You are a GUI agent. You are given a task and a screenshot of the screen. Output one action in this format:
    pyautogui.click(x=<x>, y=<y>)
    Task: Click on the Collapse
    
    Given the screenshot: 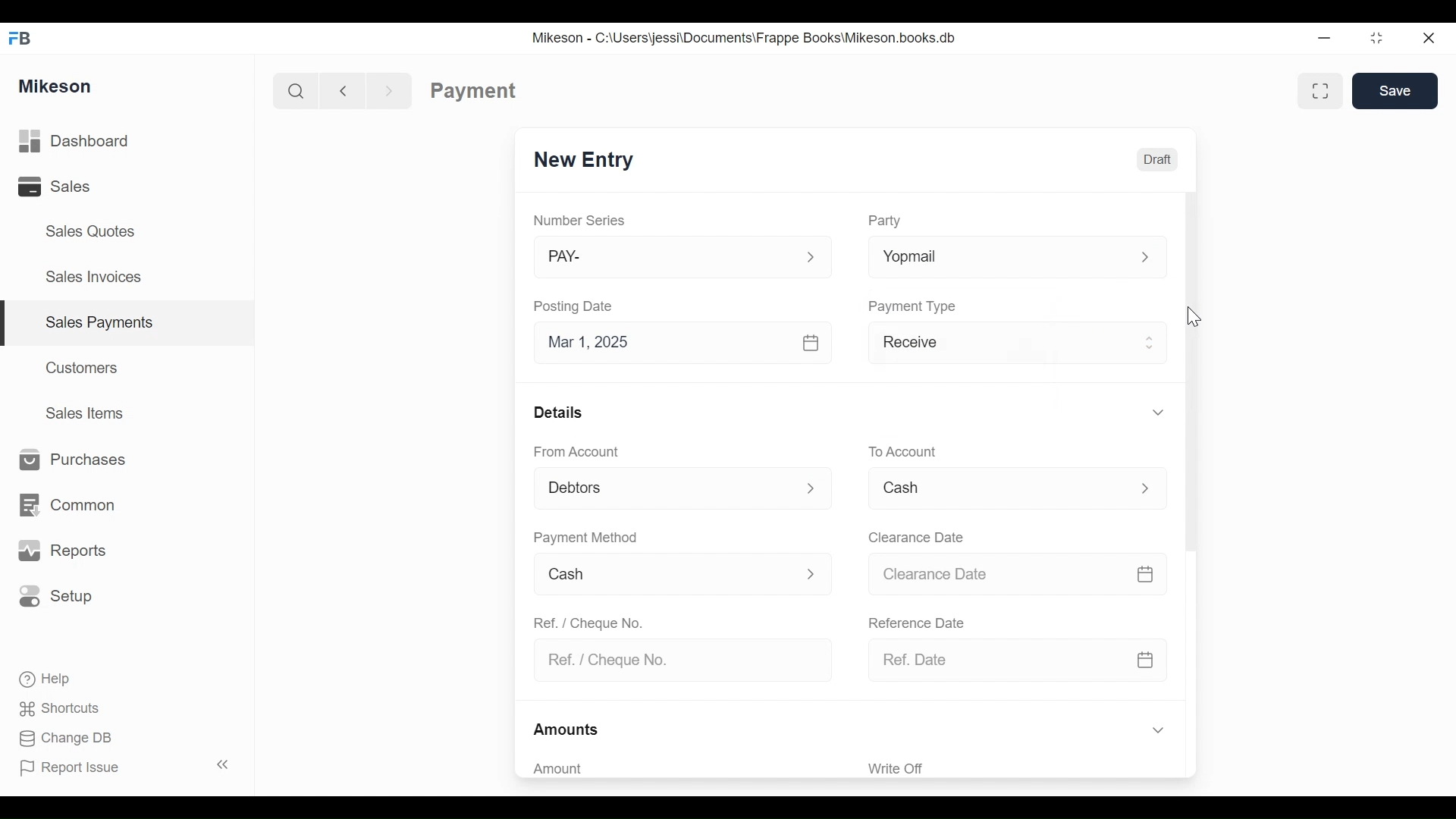 What is the action you would take?
    pyautogui.click(x=226, y=766)
    